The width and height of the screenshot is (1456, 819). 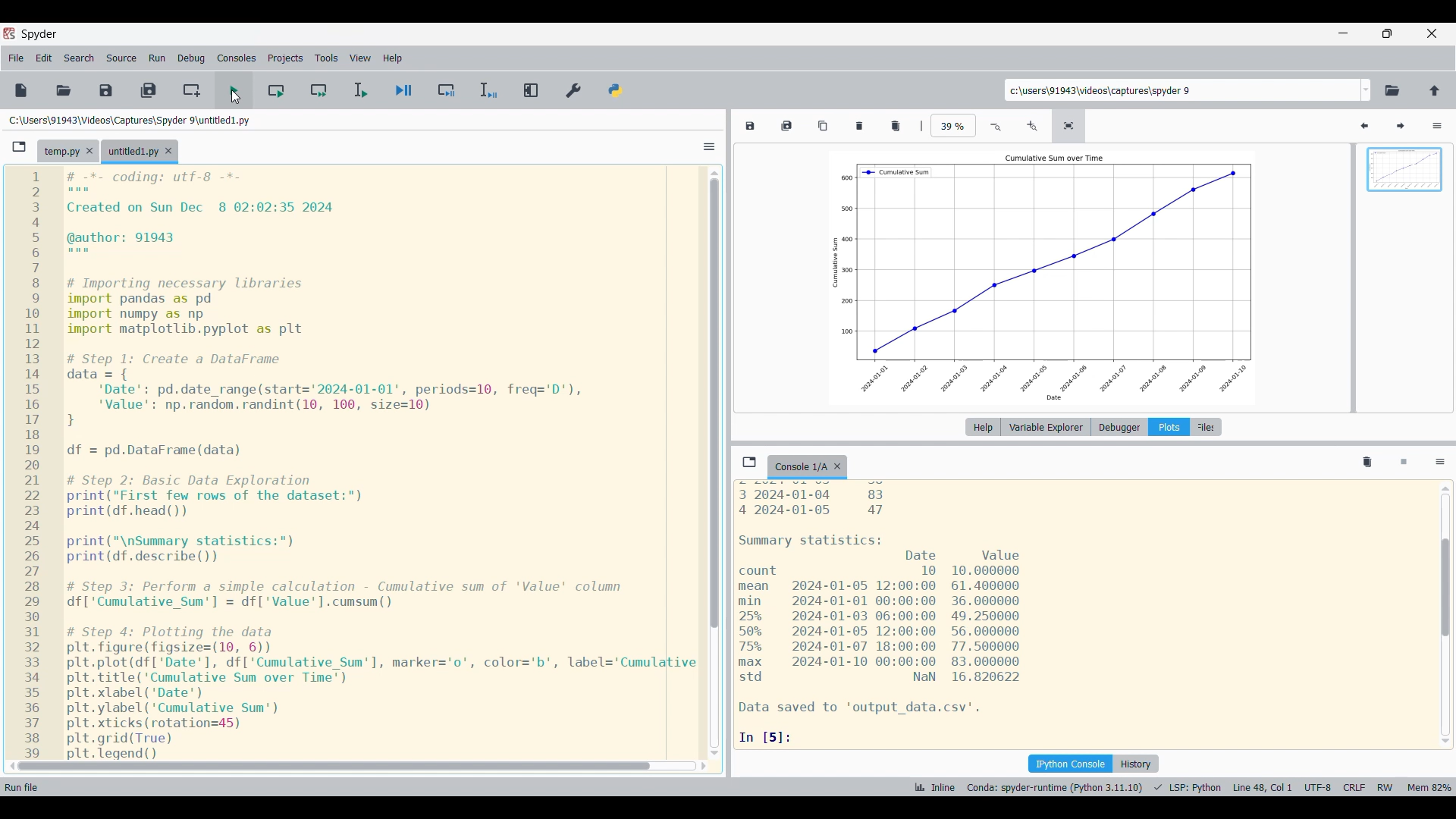 I want to click on History, so click(x=1136, y=764).